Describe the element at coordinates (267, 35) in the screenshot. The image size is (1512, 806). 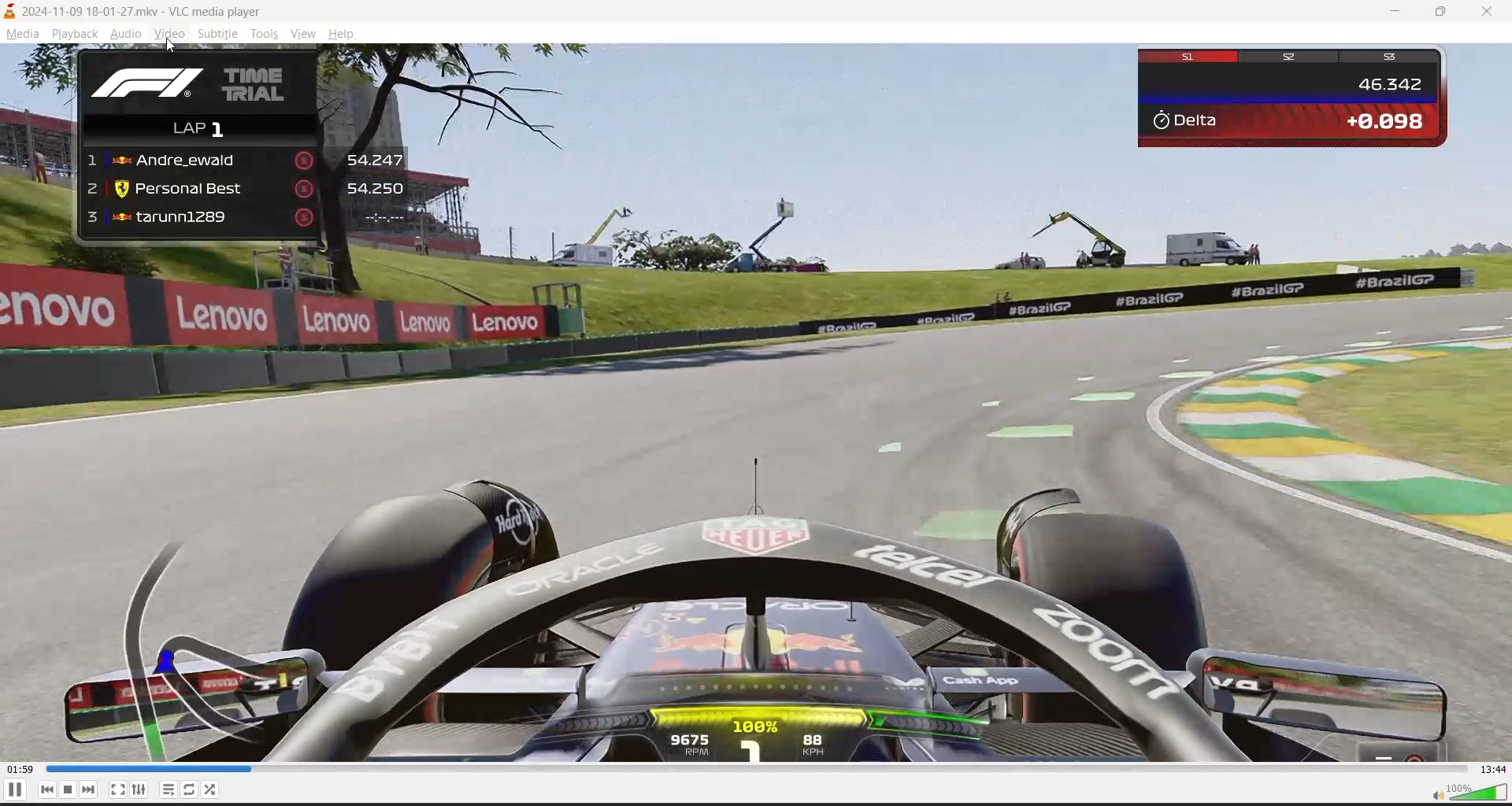
I see `tools` at that location.